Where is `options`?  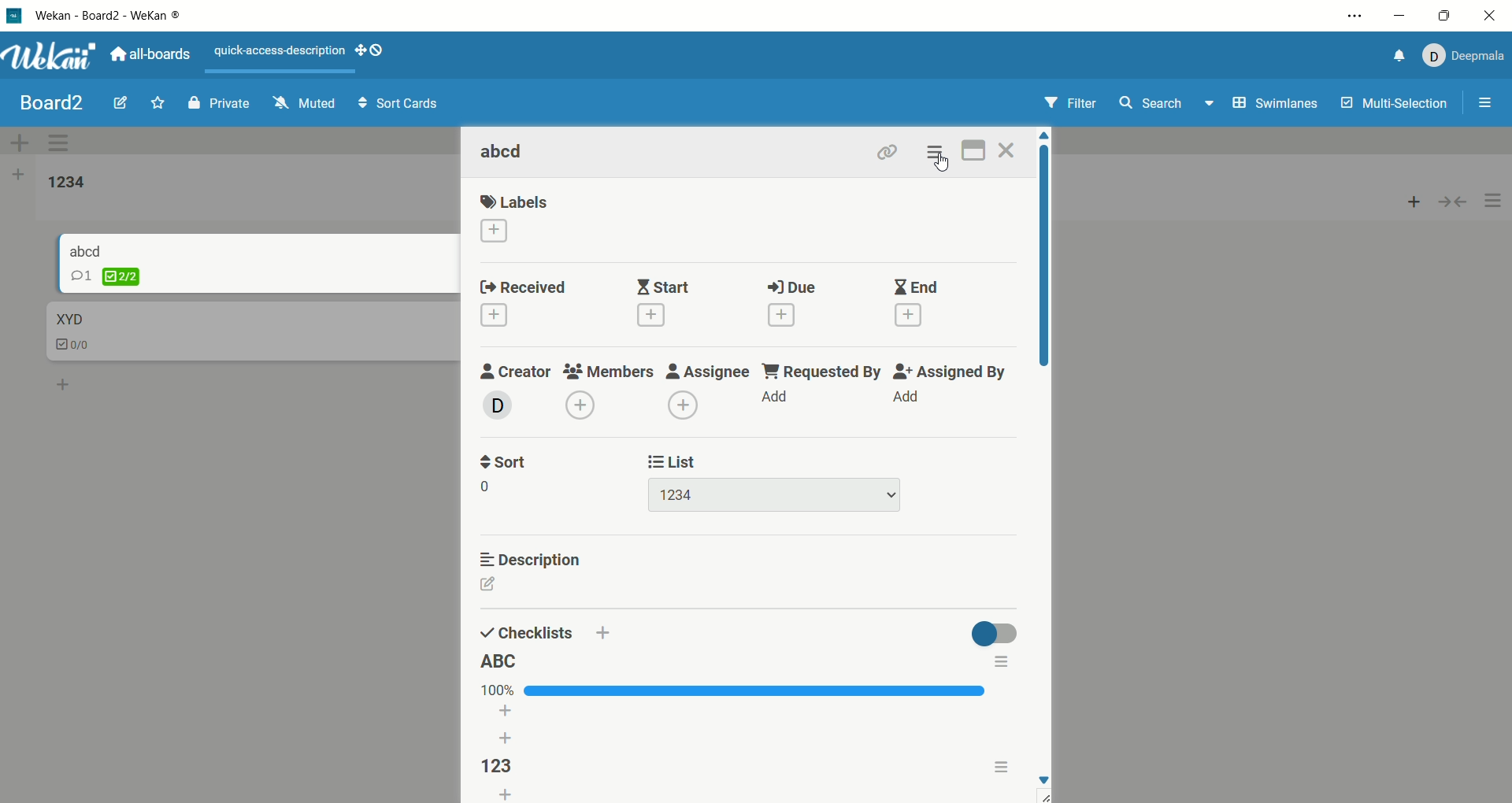
options is located at coordinates (1494, 202).